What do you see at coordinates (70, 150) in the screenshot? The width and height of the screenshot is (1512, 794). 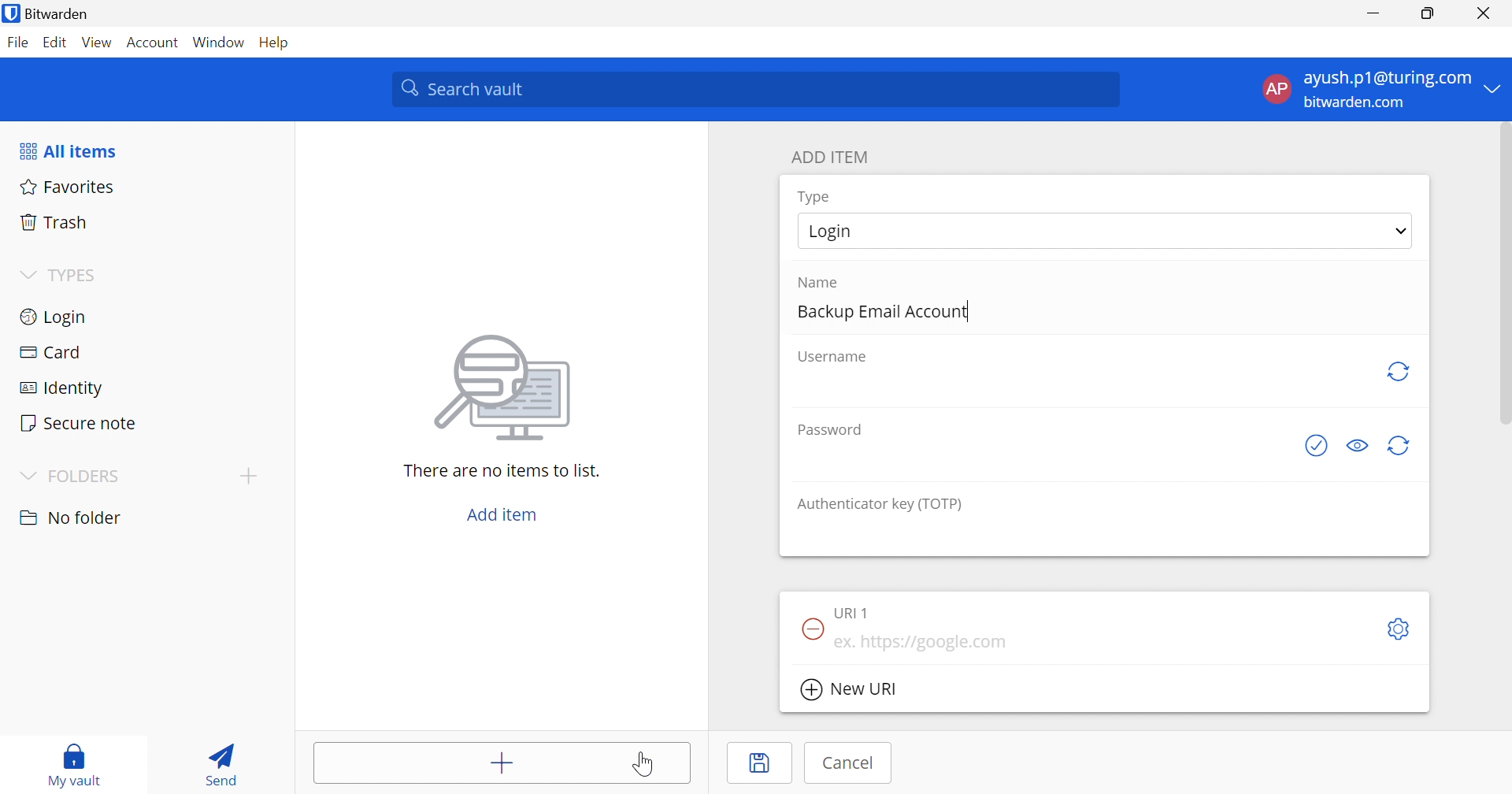 I see `All items` at bounding box center [70, 150].